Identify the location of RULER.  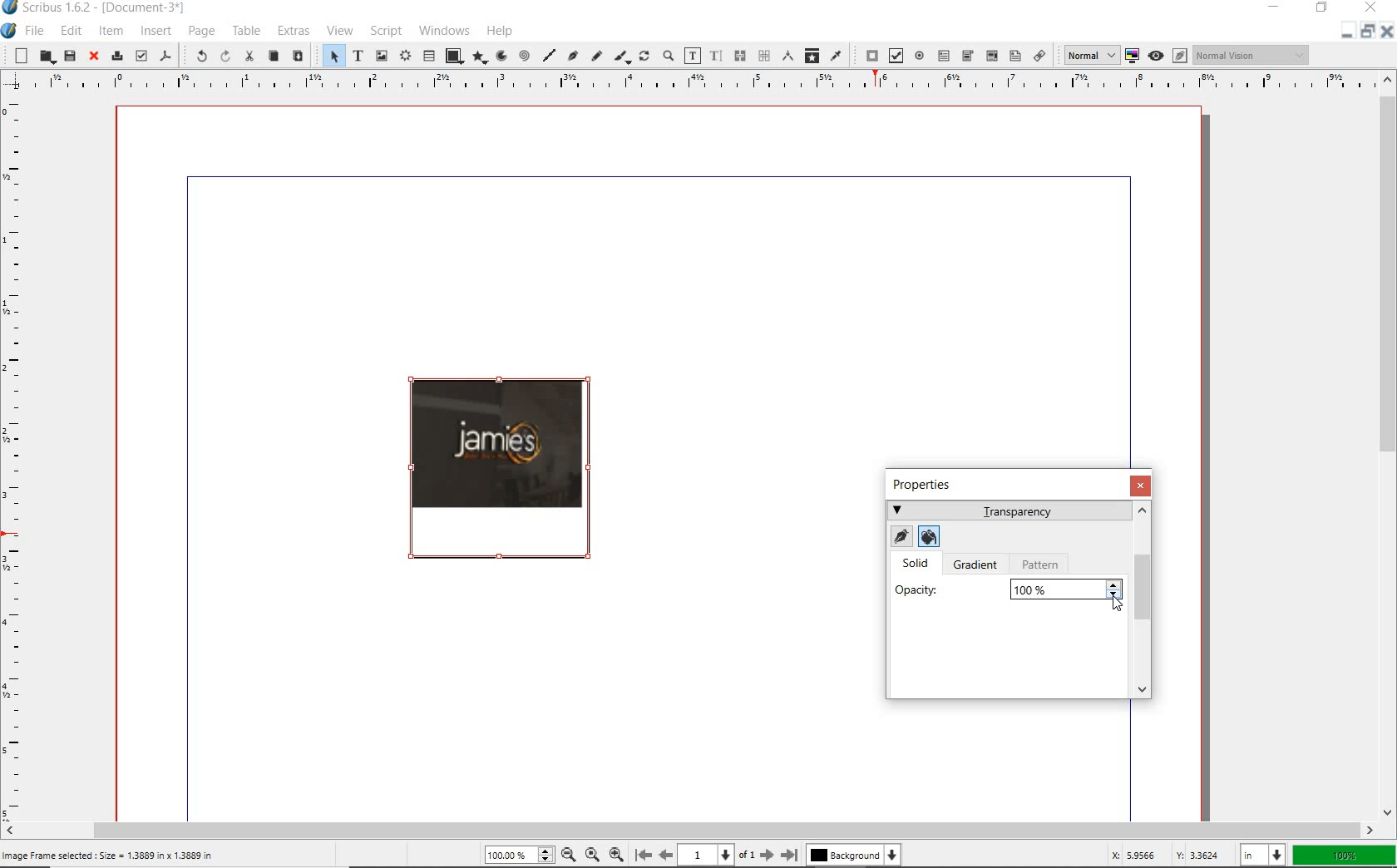
(17, 454).